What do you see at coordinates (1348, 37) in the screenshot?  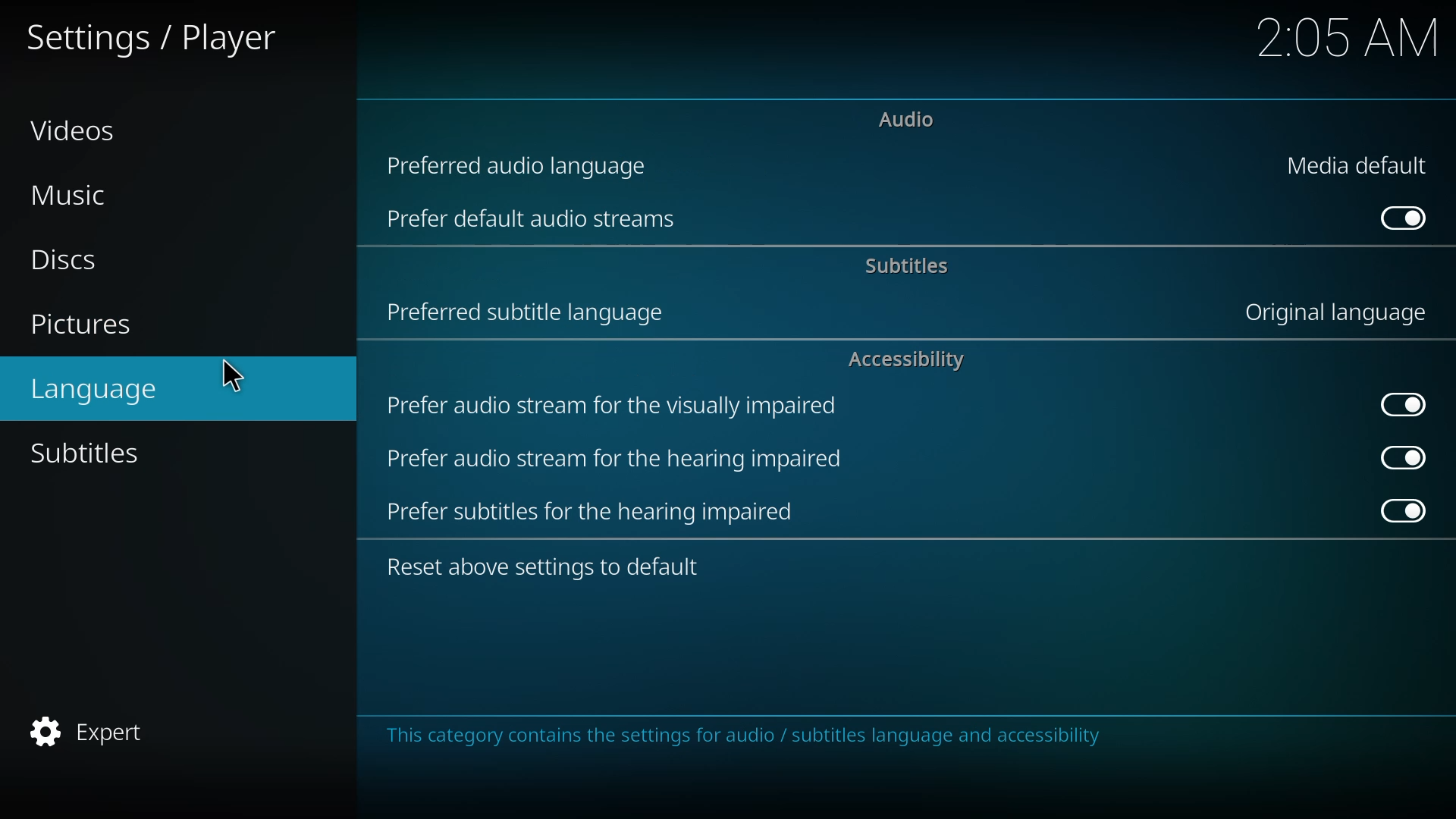 I see `time` at bounding box center [1348, 37].